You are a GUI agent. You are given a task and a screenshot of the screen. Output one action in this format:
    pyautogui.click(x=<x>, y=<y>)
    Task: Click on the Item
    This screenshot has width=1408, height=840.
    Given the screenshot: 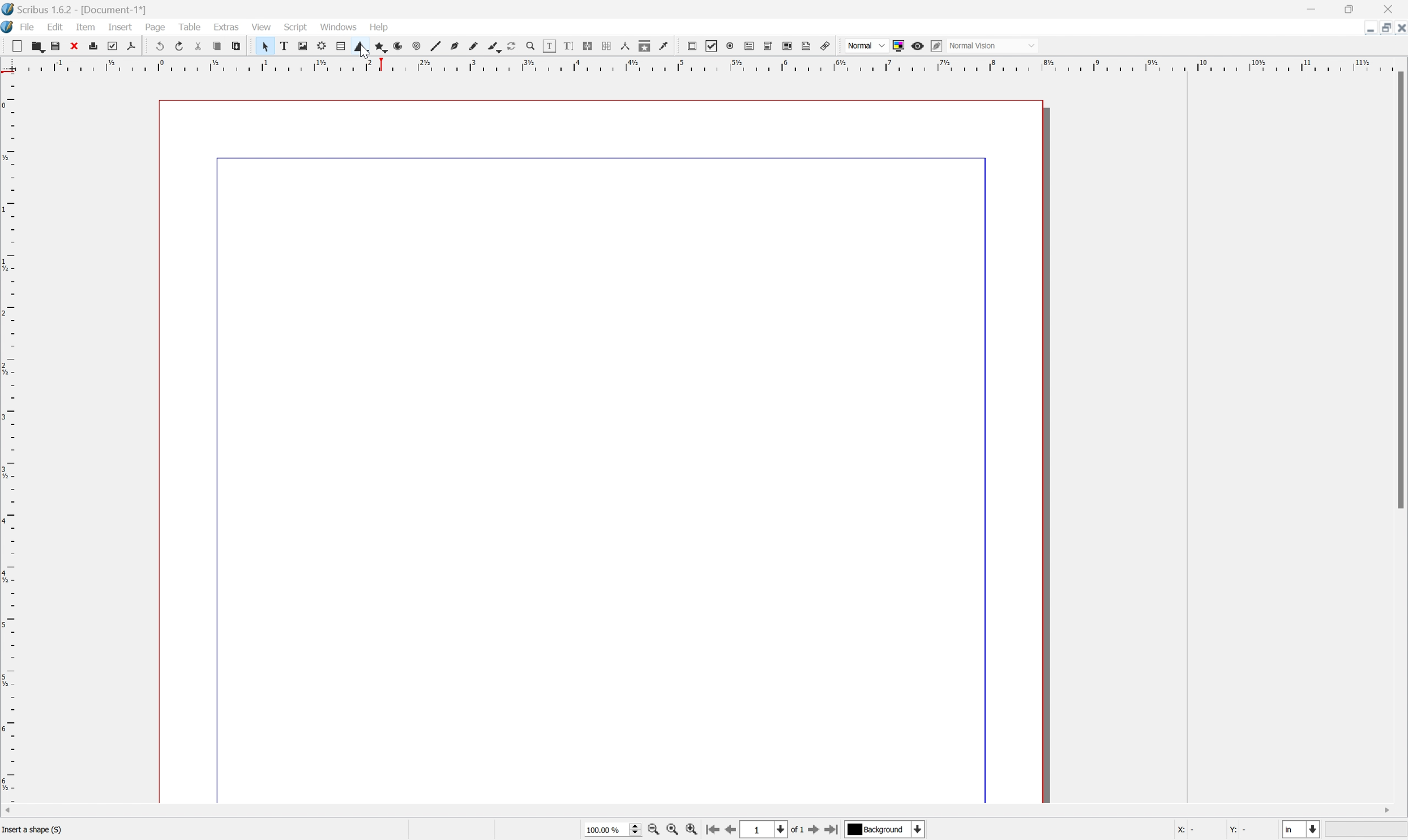 What is the action you would take?
    pyautogui.click(x=84, y=27)
    